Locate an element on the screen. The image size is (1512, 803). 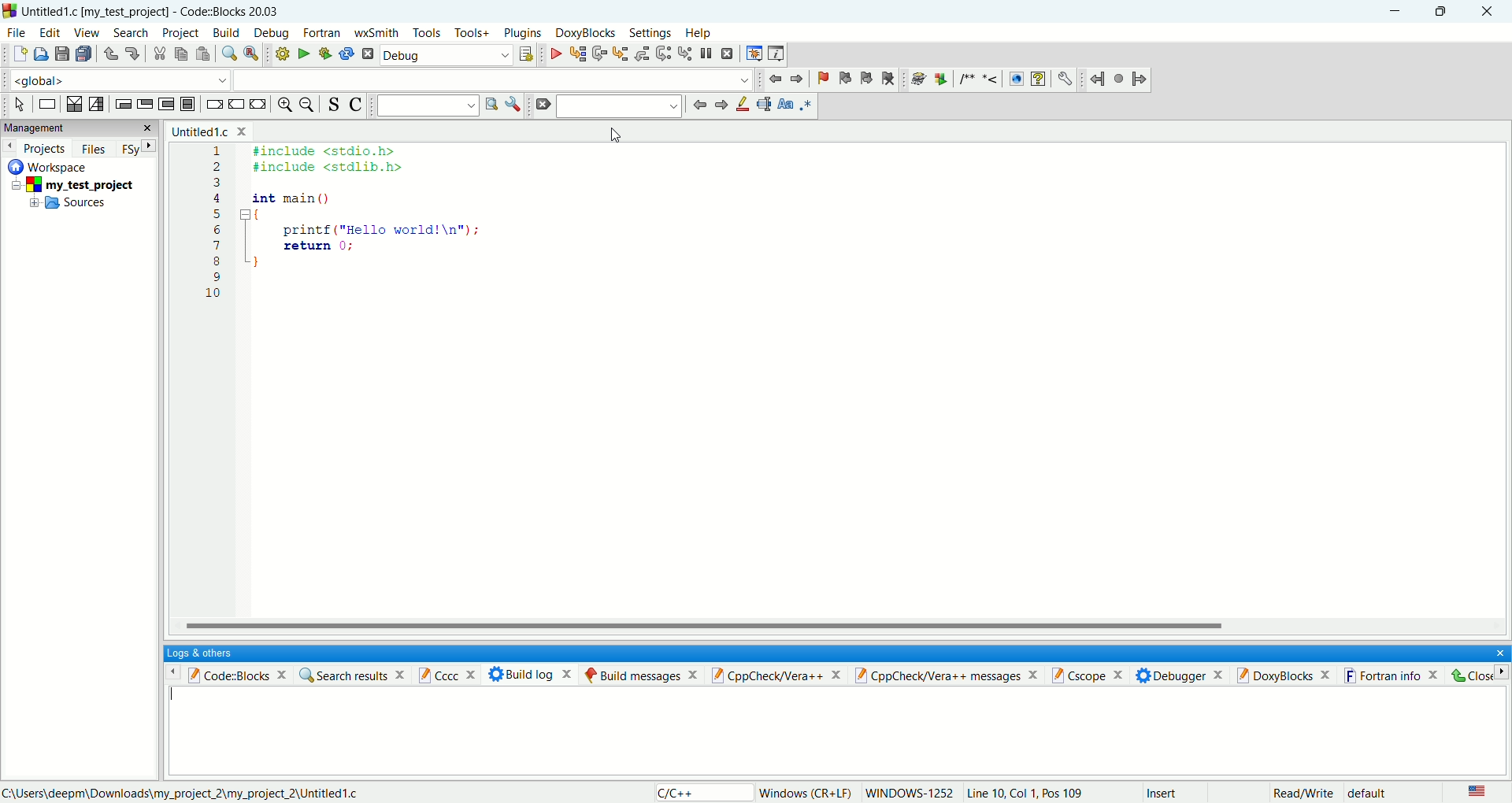
windows is located at coordinates (806, 794).